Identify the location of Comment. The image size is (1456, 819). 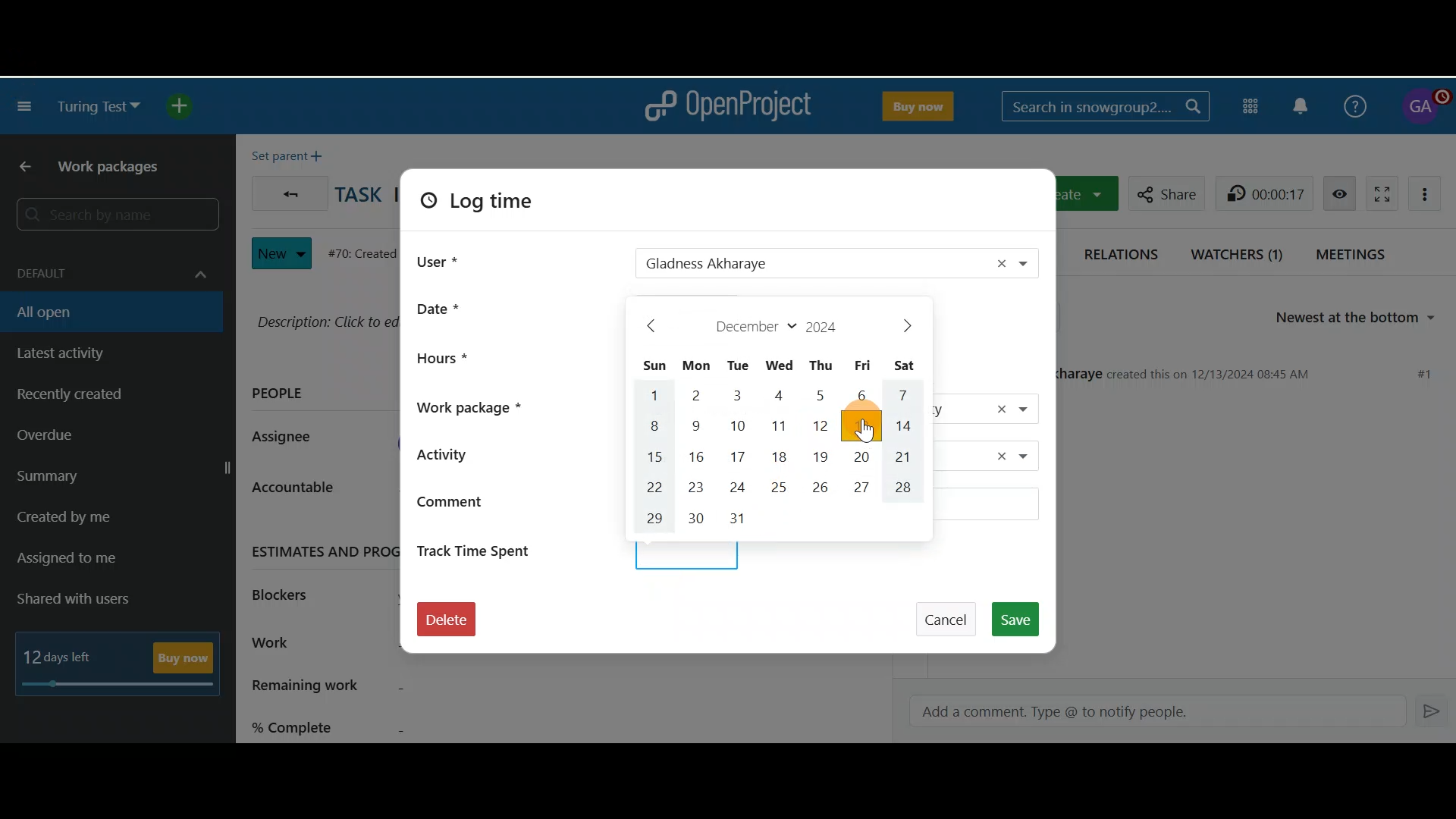
(486, 507).